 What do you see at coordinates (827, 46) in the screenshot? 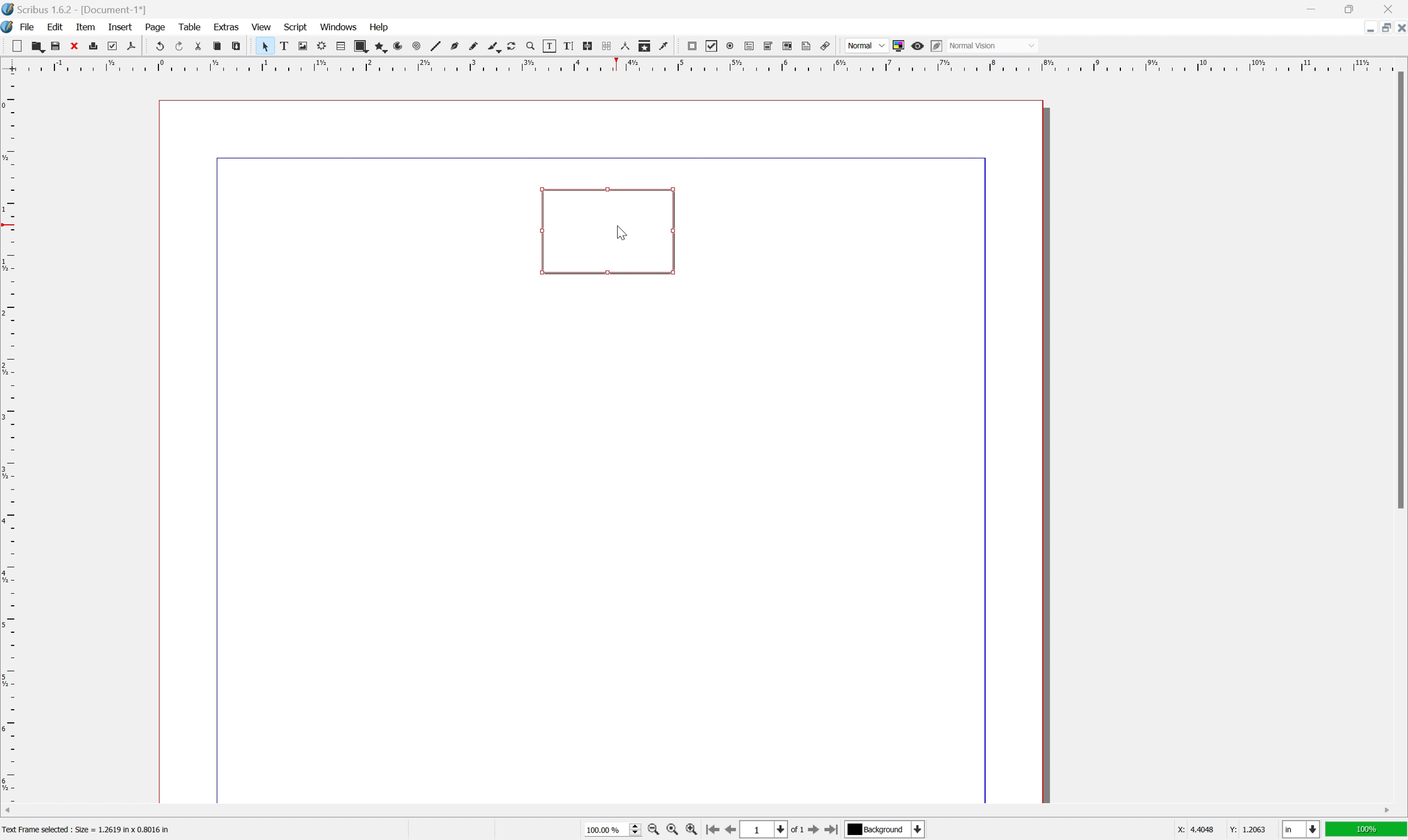
I see `link annotation` at bounding box center [827, 46].